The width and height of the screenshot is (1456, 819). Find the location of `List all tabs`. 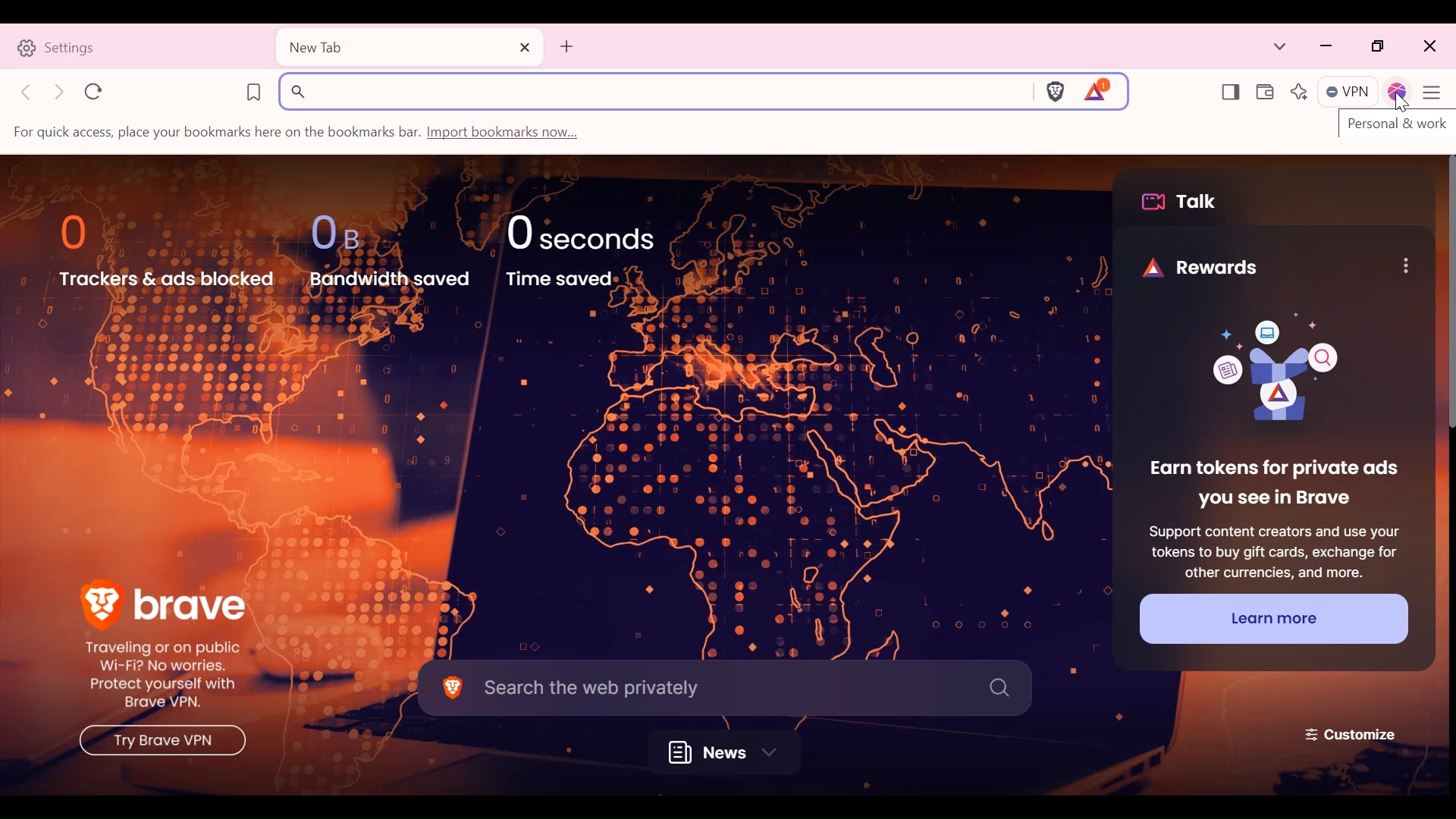

List all tabs is located at coordinates (1280, 47).